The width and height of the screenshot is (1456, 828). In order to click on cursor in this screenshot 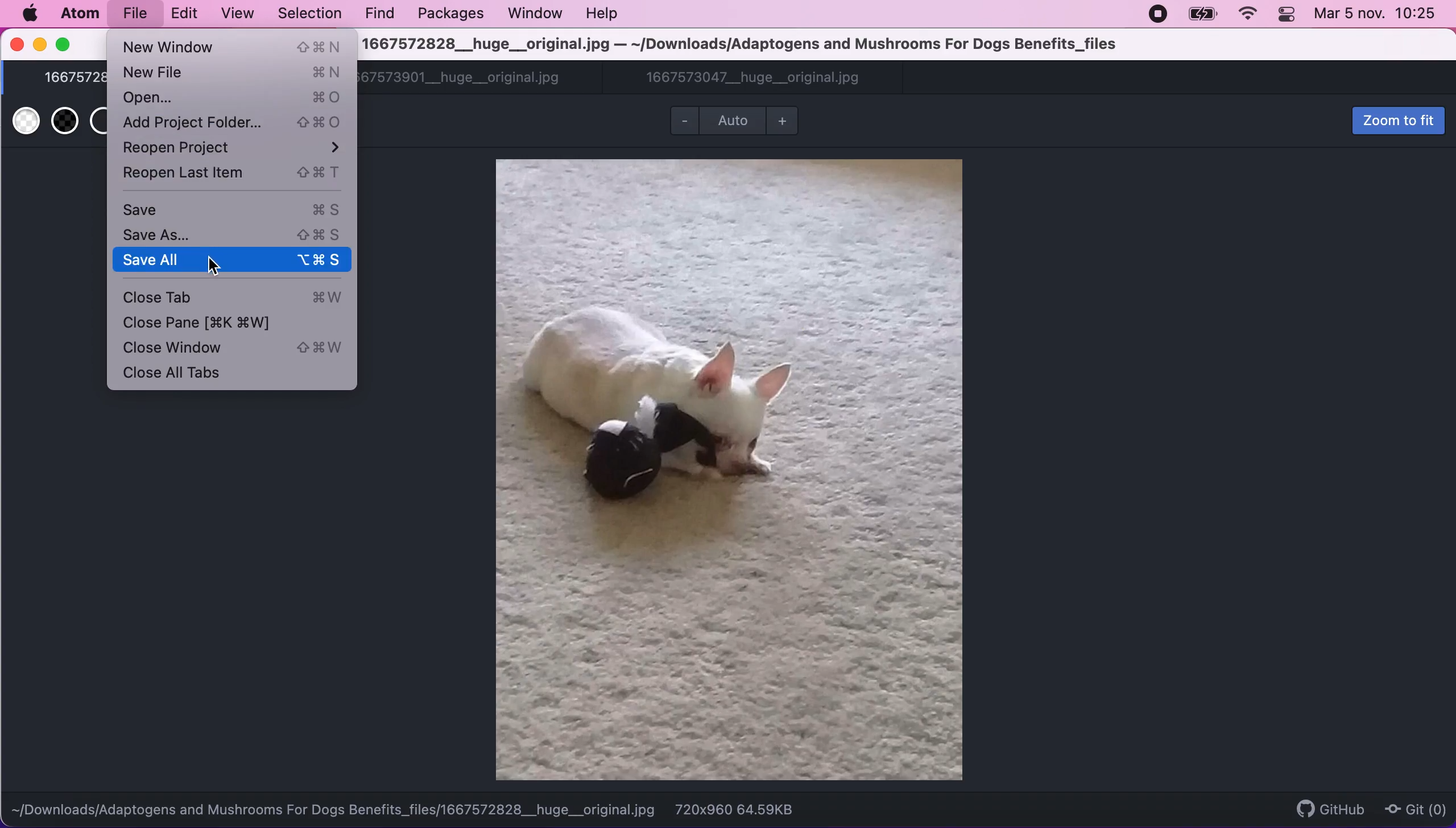, I will do `click(214, 267)`.